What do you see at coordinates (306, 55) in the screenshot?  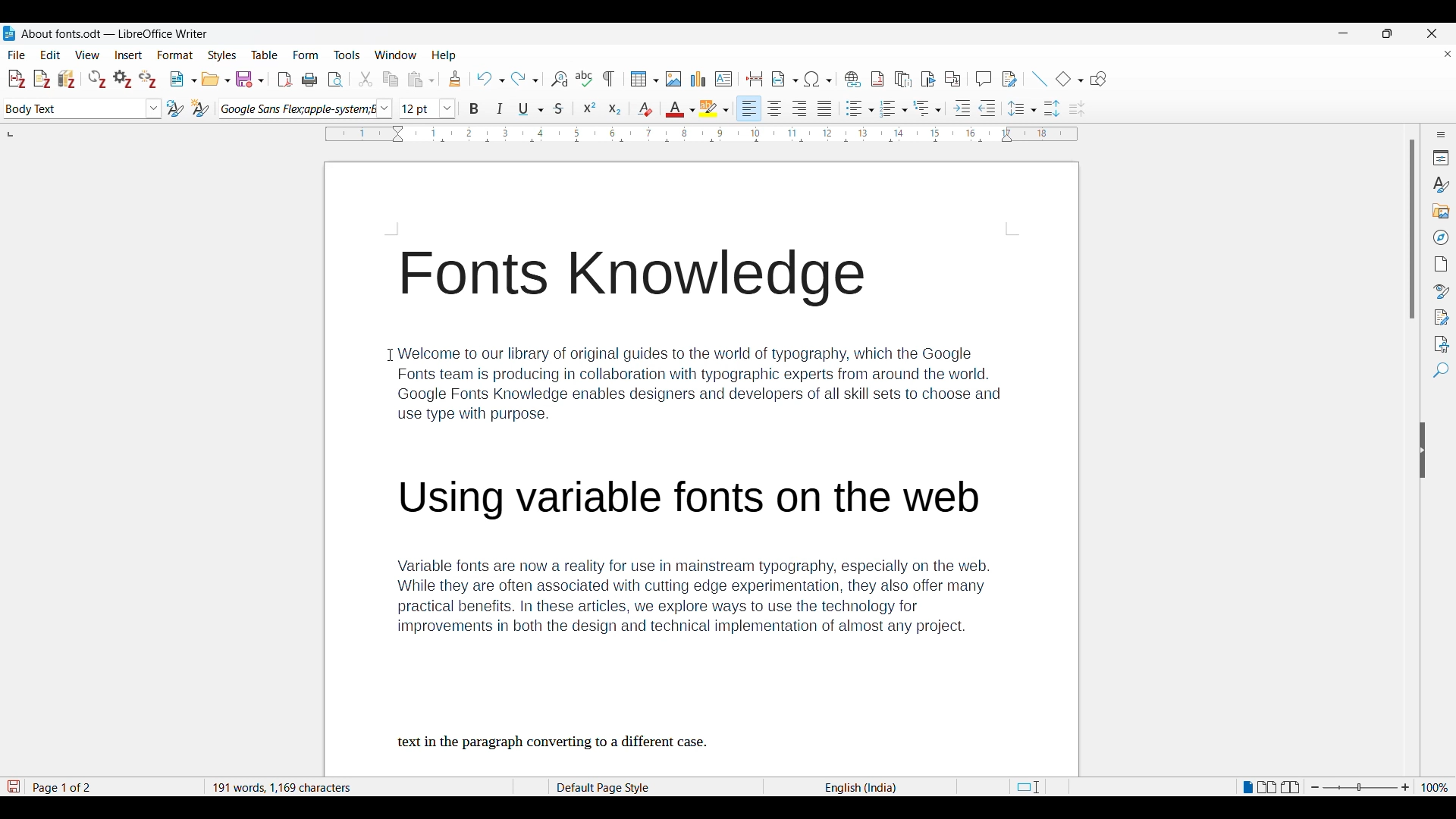 I see `Form menu` at bounding box center [306, 55].